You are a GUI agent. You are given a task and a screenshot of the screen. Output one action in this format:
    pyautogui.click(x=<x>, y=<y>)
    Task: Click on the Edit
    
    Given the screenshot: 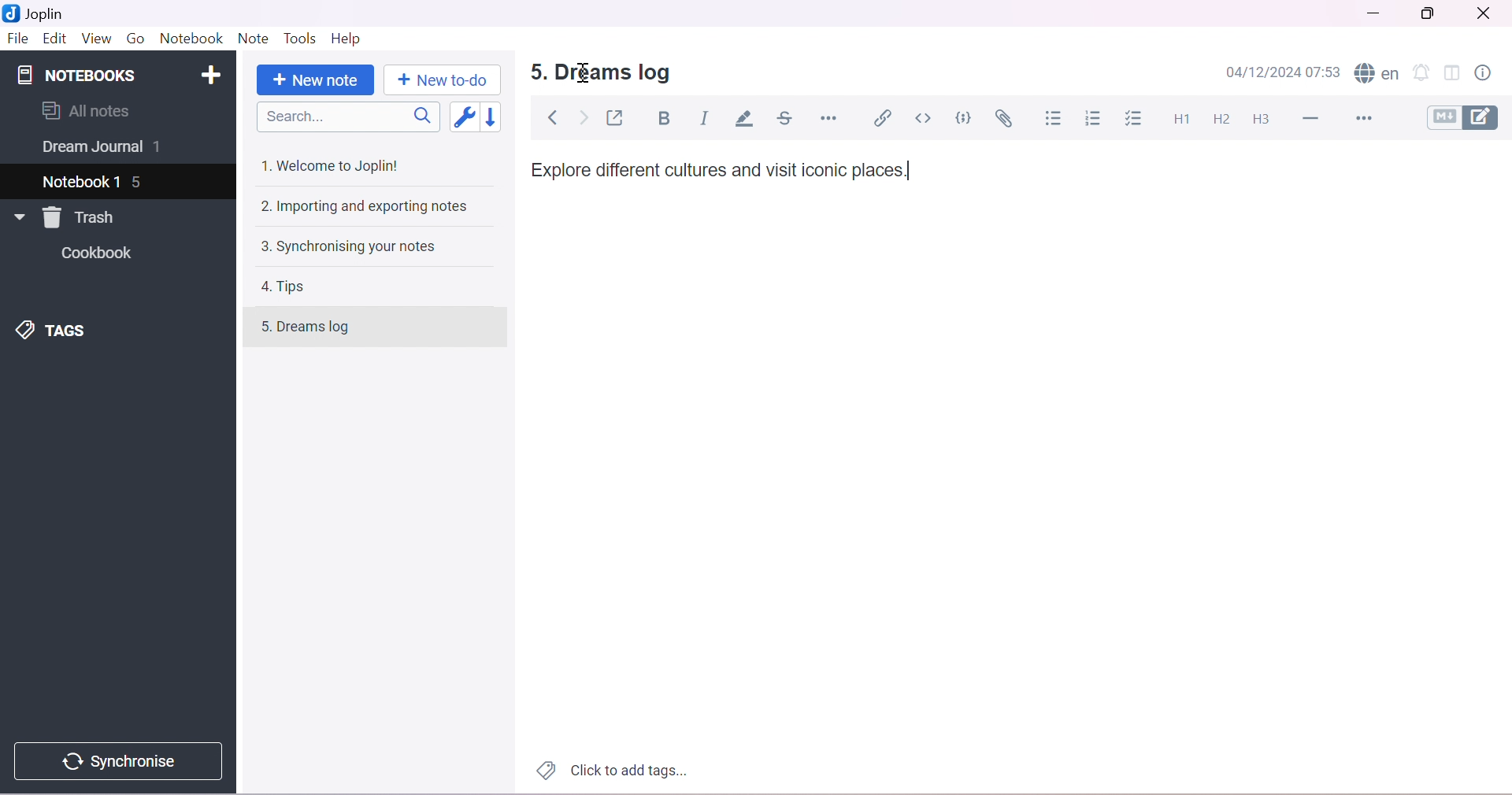 What is the action you would take?
    pyautogui.click(x=54, y=39)
    